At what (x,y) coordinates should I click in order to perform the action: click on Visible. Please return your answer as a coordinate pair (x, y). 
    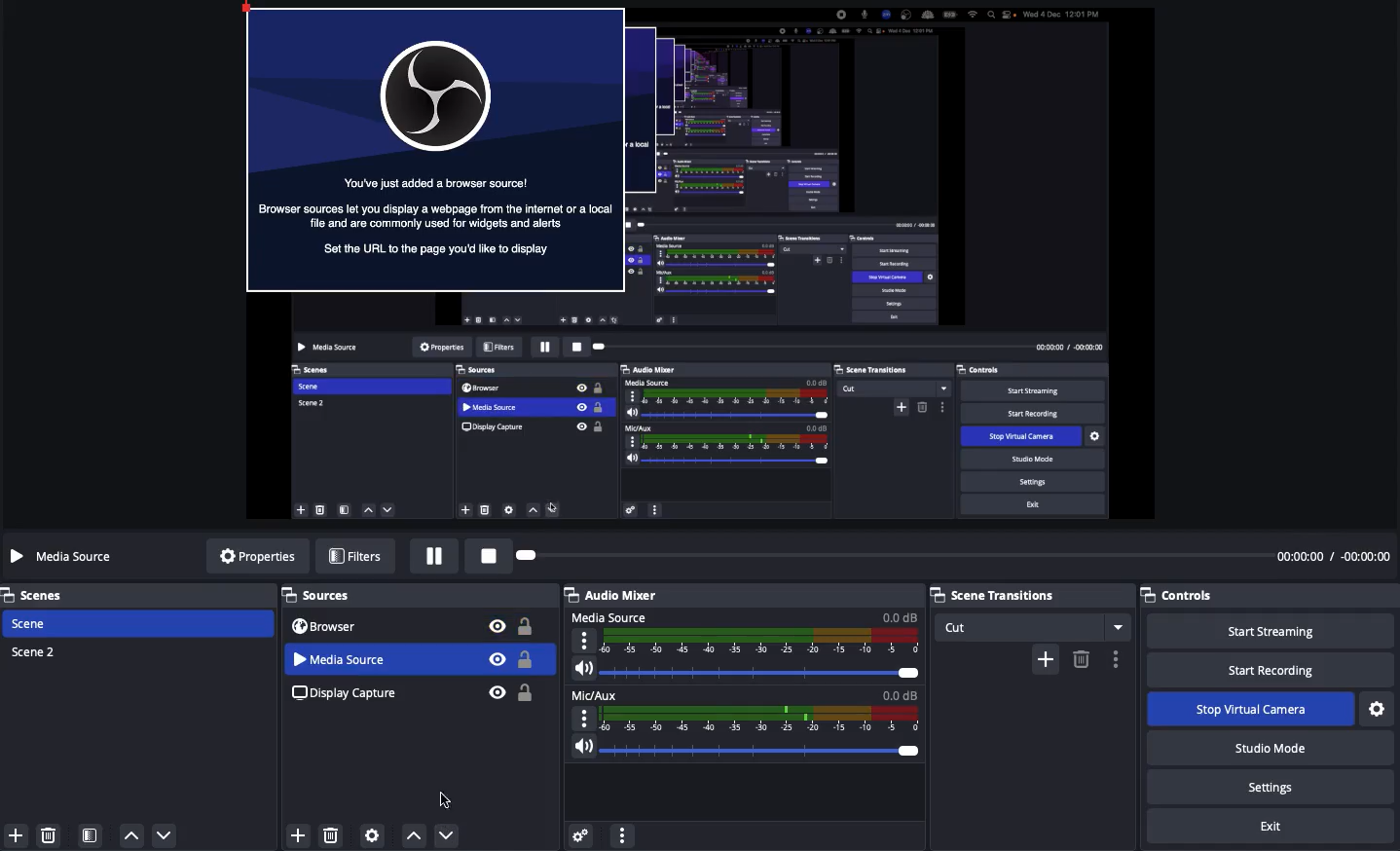
    Looking at the image, I should click on (496, 659).